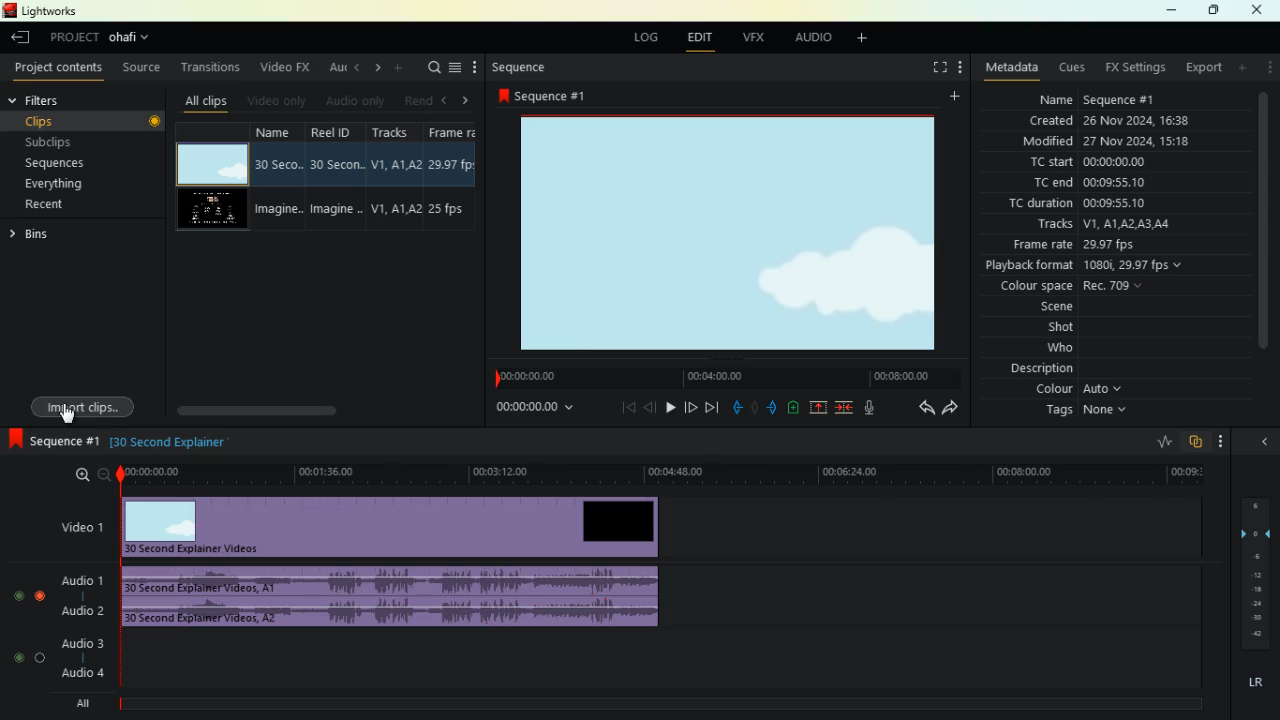 This screenshot has height=720, width=1280. What do you see at coordinates (396, 177) in the screenshot?
I see `tracks` at bounding box center [396, 177].